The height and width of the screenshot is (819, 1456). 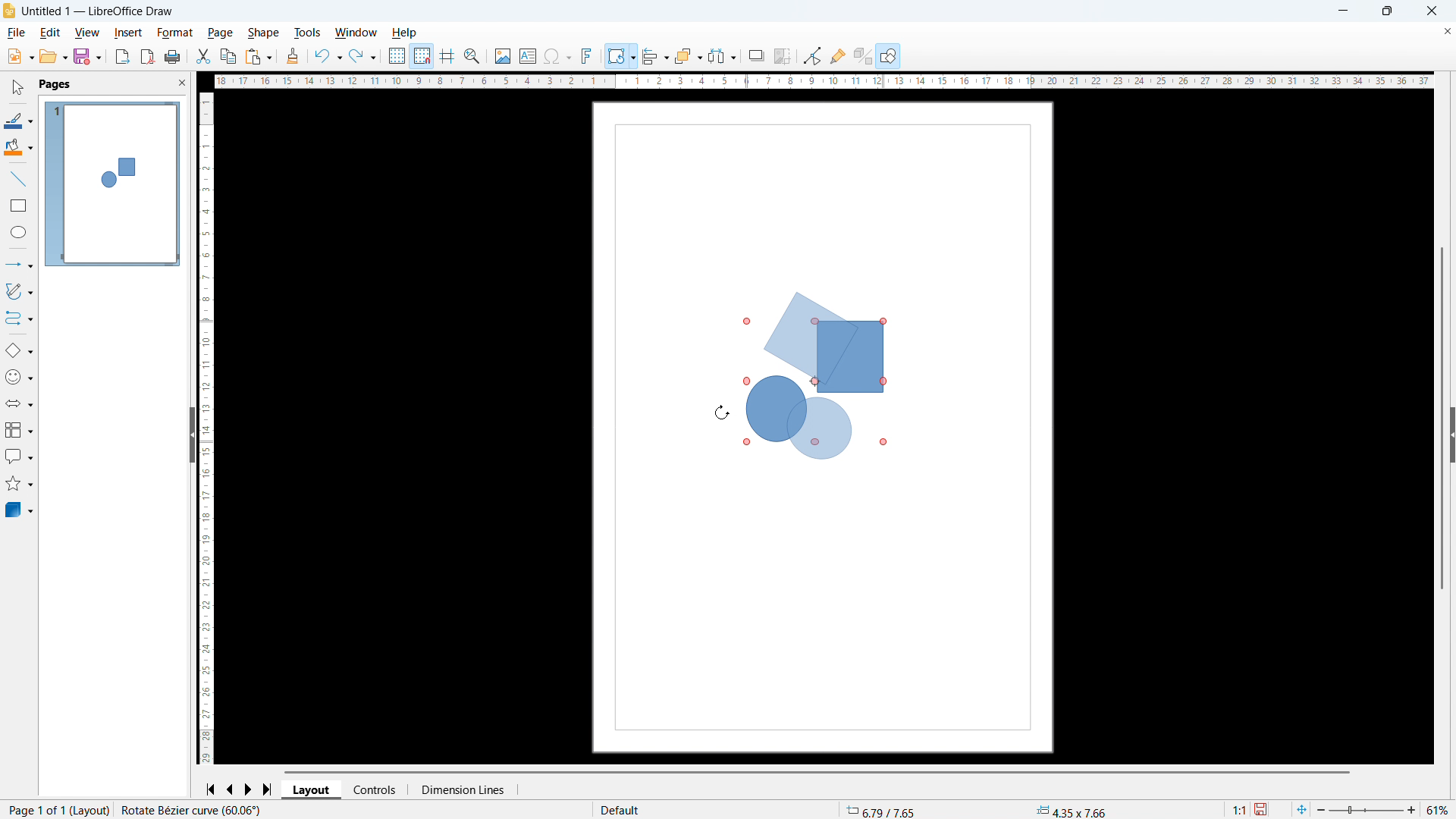 What do you see at coordinates (1262, 810) in the screenshot?
I see `Save ` at bounding box center [1262, 810].